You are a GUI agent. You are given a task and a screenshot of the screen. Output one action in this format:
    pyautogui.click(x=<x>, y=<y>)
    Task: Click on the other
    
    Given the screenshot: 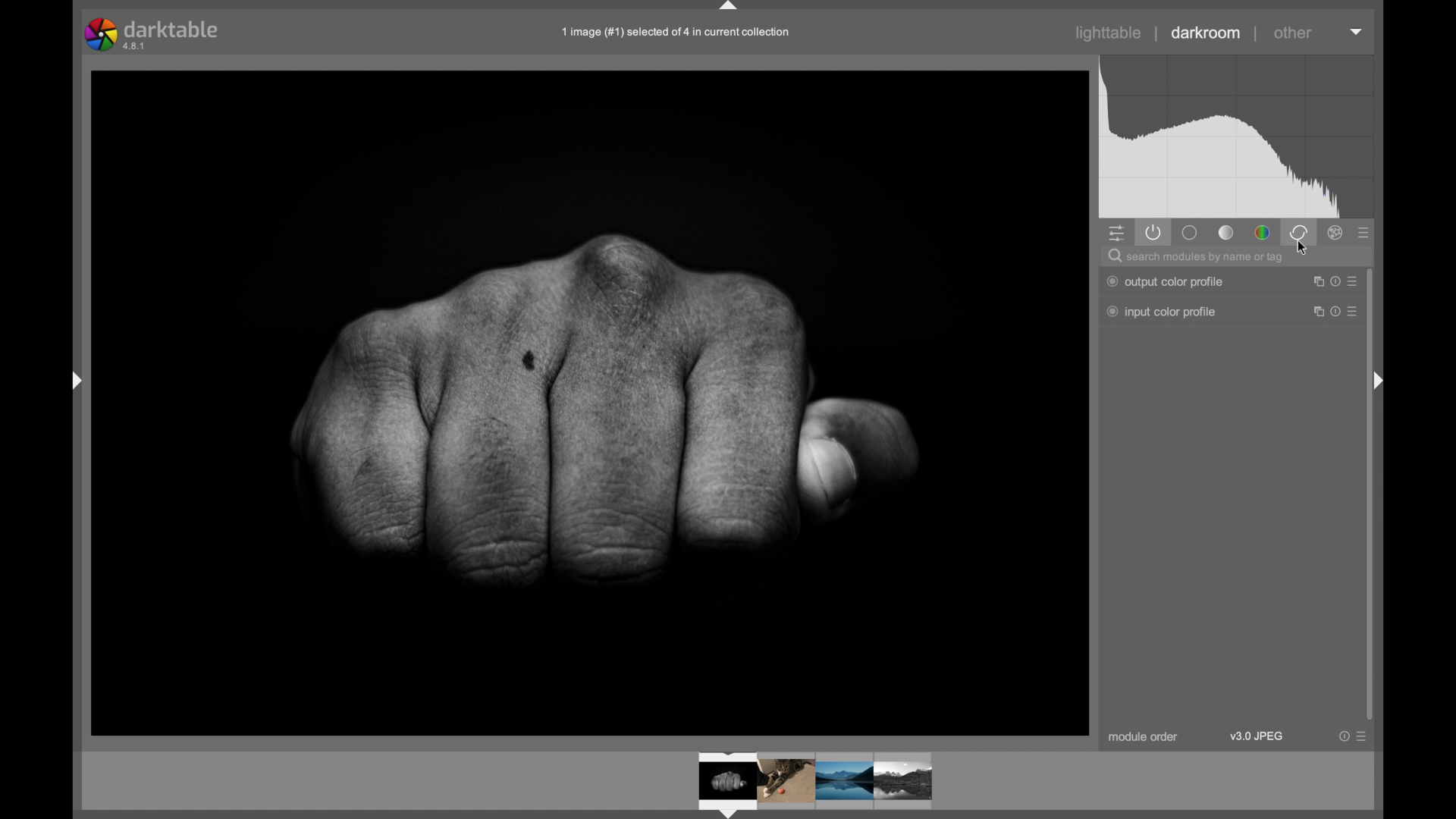 What is the action you would take?
    pyautogui.click(x=1293, y=33)
    